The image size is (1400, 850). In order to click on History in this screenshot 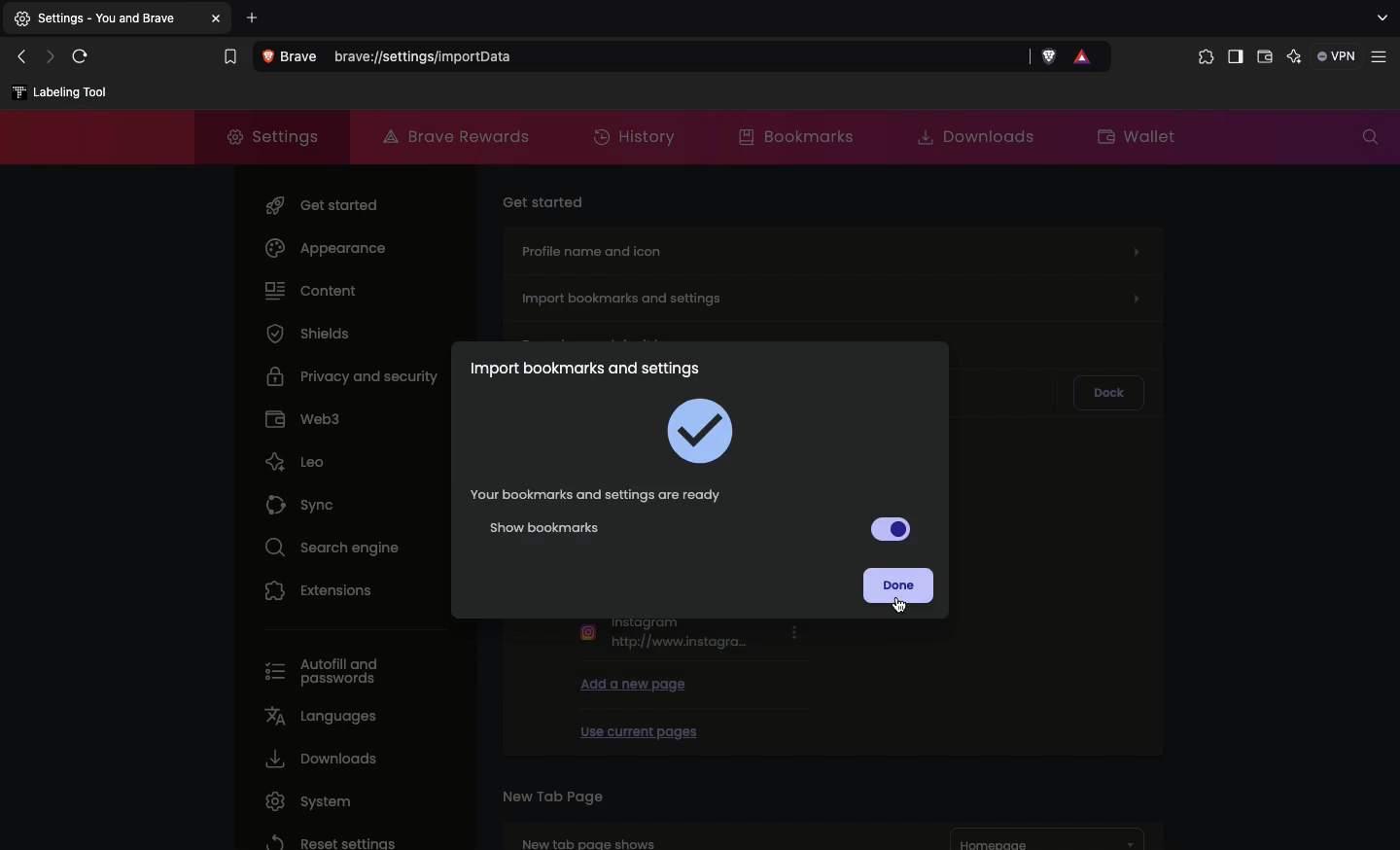, I will do `click(638, 138)`.